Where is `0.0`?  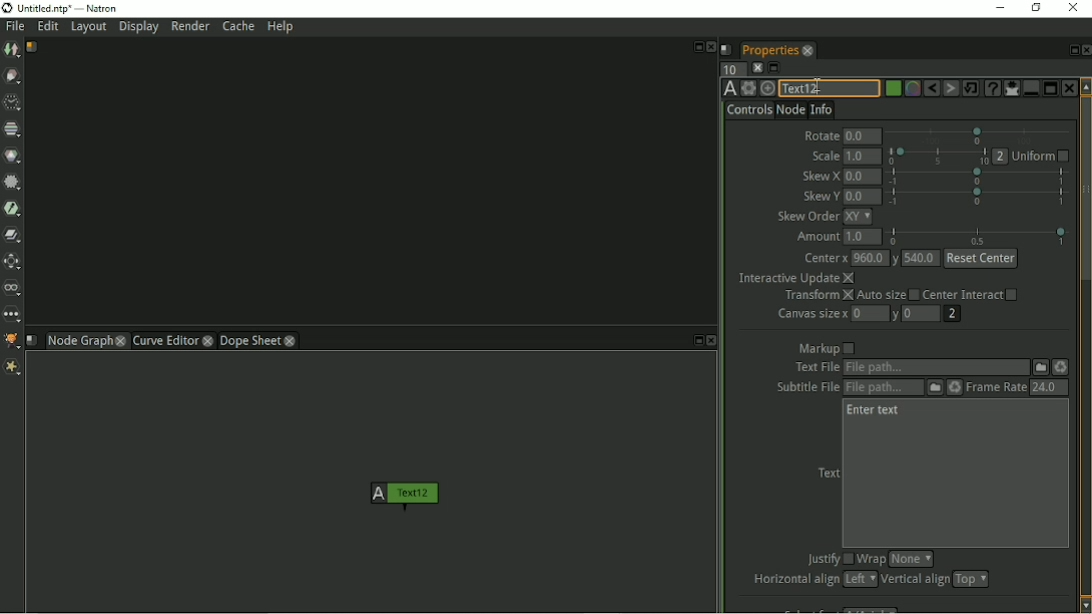
0.0 is located at coordinates (863, 137).